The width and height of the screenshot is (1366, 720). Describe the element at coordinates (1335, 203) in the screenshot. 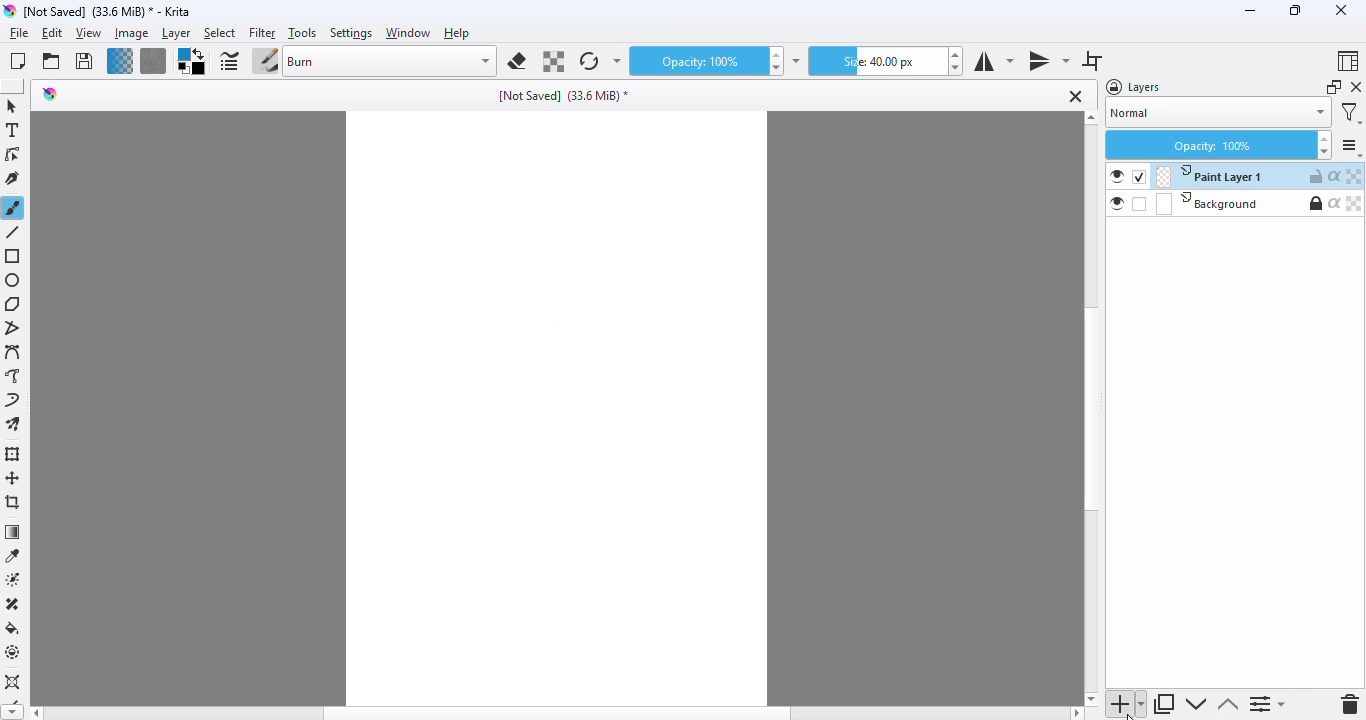

I see `inherit alpha: no` at that location.